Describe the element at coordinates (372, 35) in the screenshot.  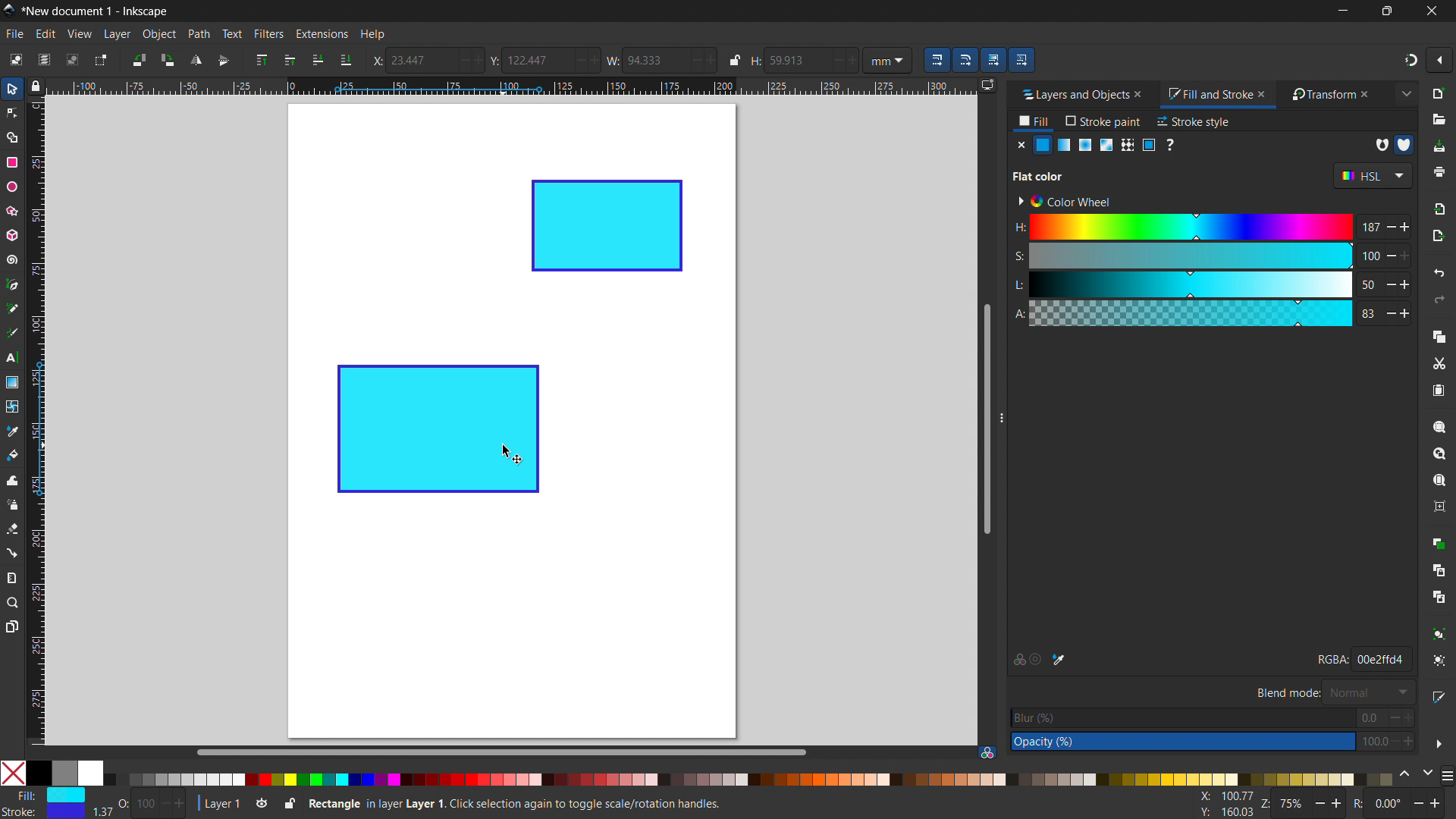
I see `help` at that location.